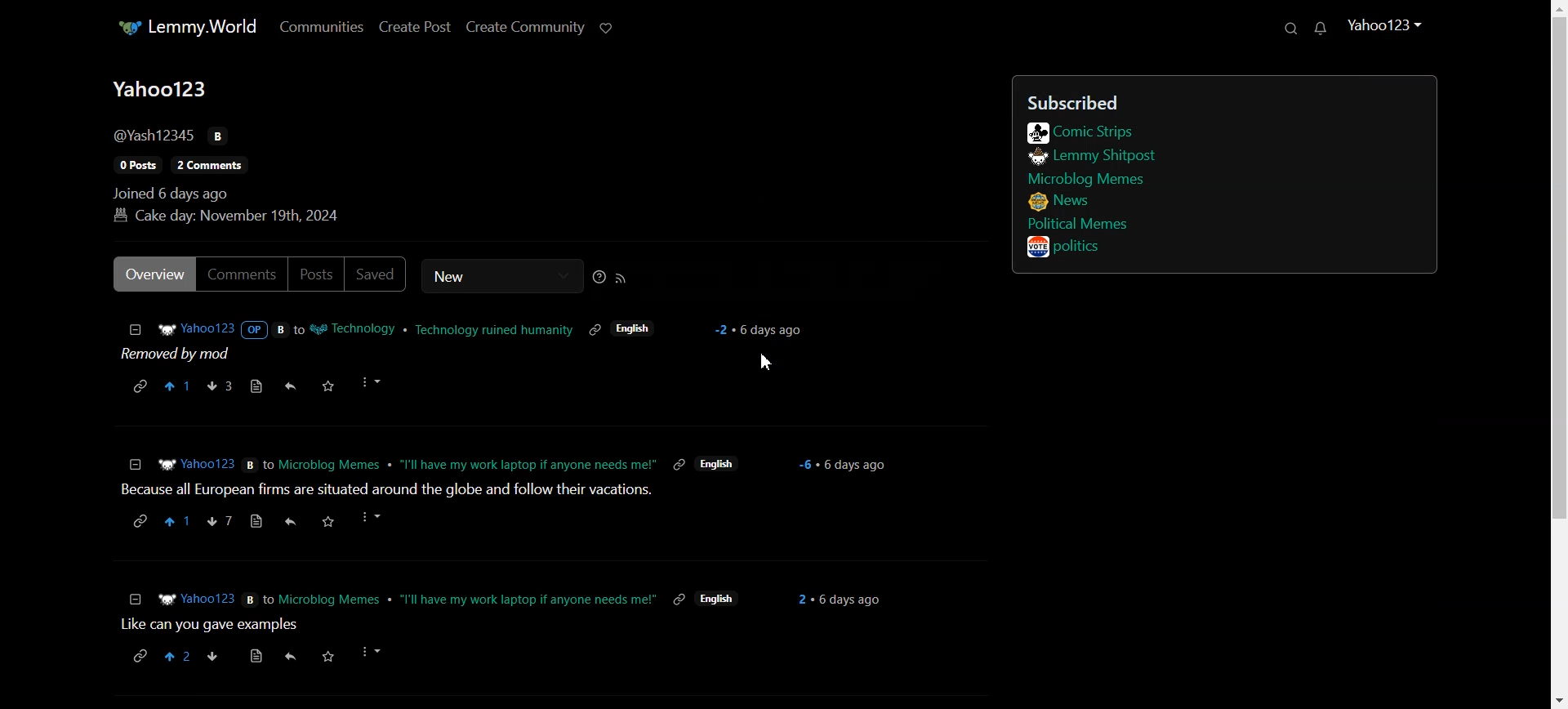 The image size is (1568, 709). Describe the element at coordinates (258, 599) in the screenshot. I see `B to` at that location.